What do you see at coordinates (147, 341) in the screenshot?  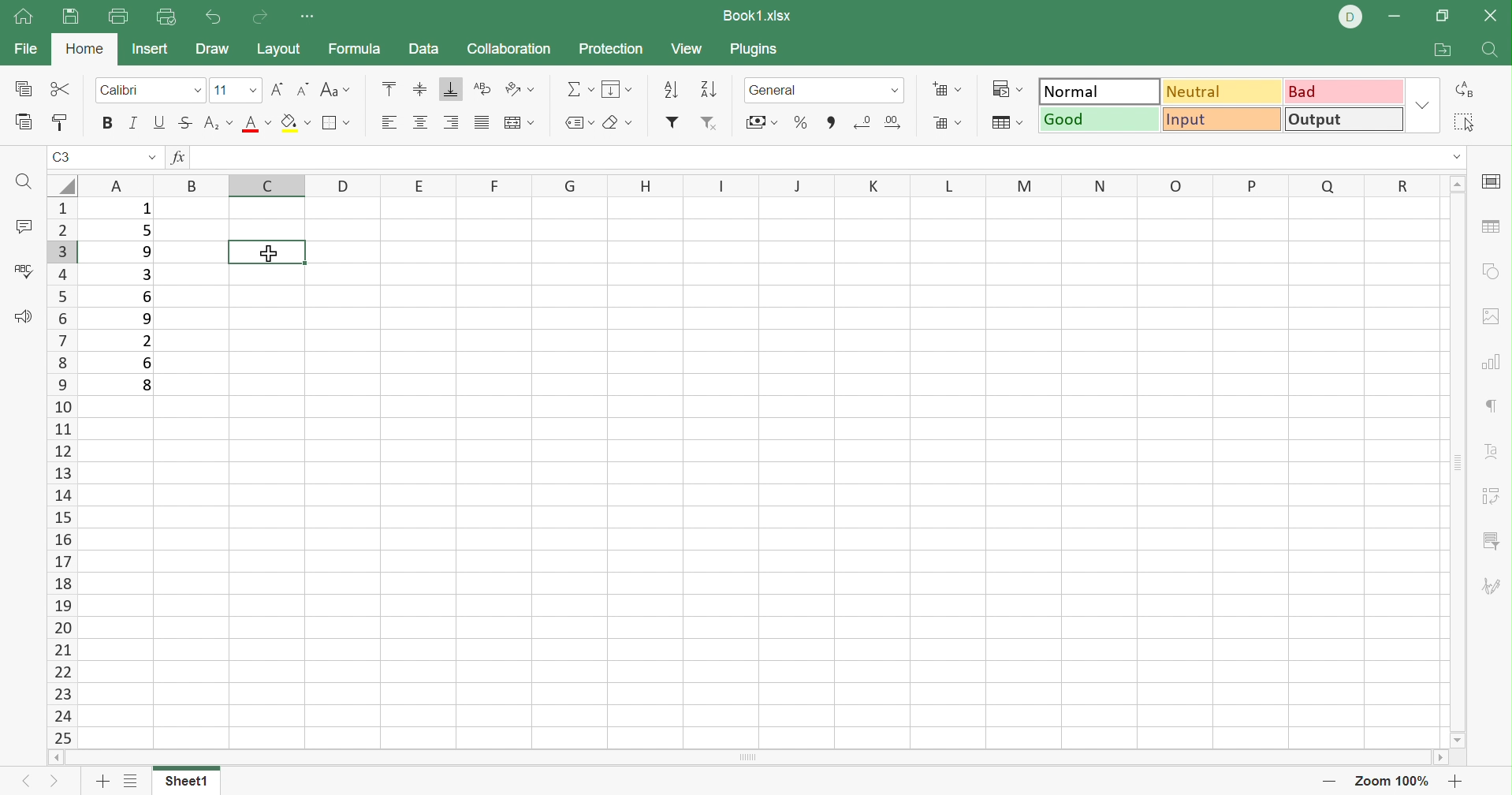 I see `2` at bounding box center [147, 341].